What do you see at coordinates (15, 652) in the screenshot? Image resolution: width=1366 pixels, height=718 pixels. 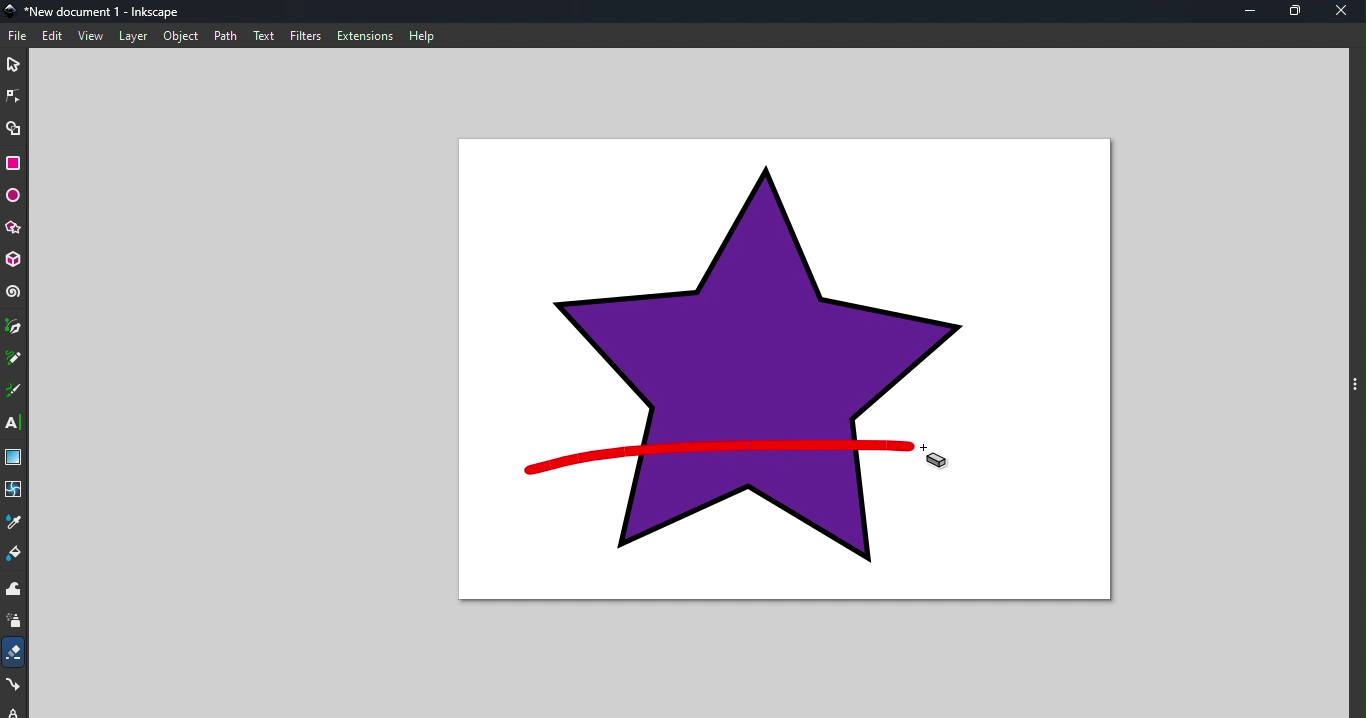 I see `eraser tool` at bounding box center [15, 652].